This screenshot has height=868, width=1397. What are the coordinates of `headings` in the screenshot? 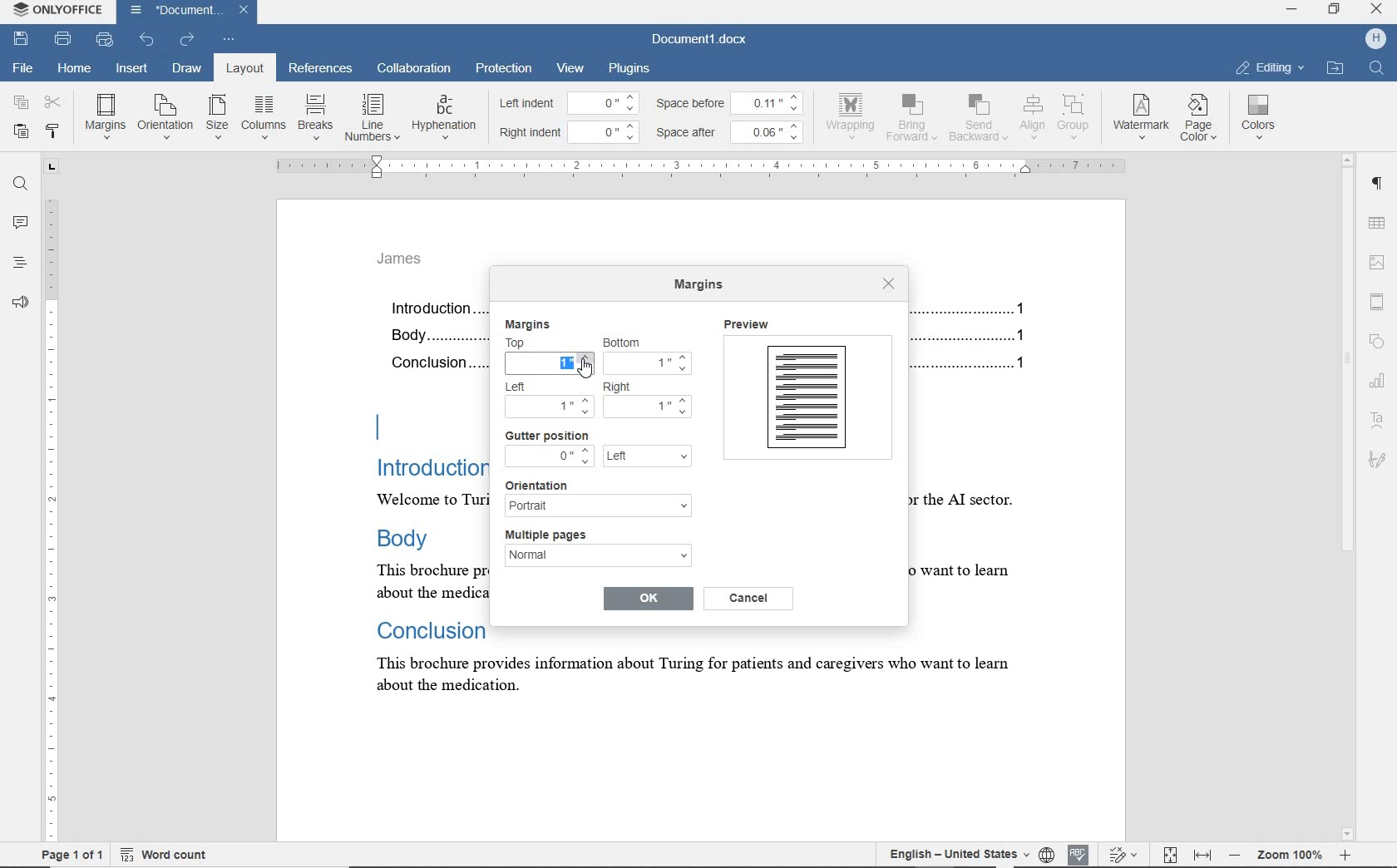 It's located at (16, 264).